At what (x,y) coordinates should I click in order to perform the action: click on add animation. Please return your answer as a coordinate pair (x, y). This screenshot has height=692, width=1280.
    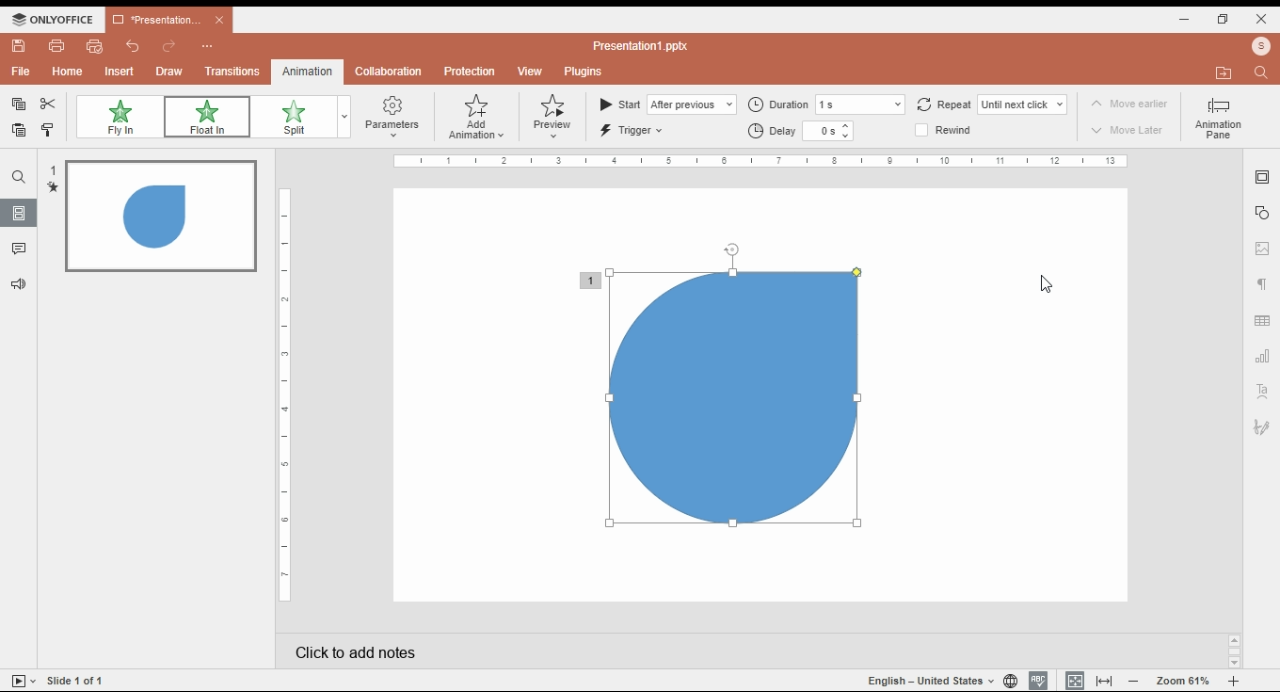
    Looking at the image, I should click on (478, 118).